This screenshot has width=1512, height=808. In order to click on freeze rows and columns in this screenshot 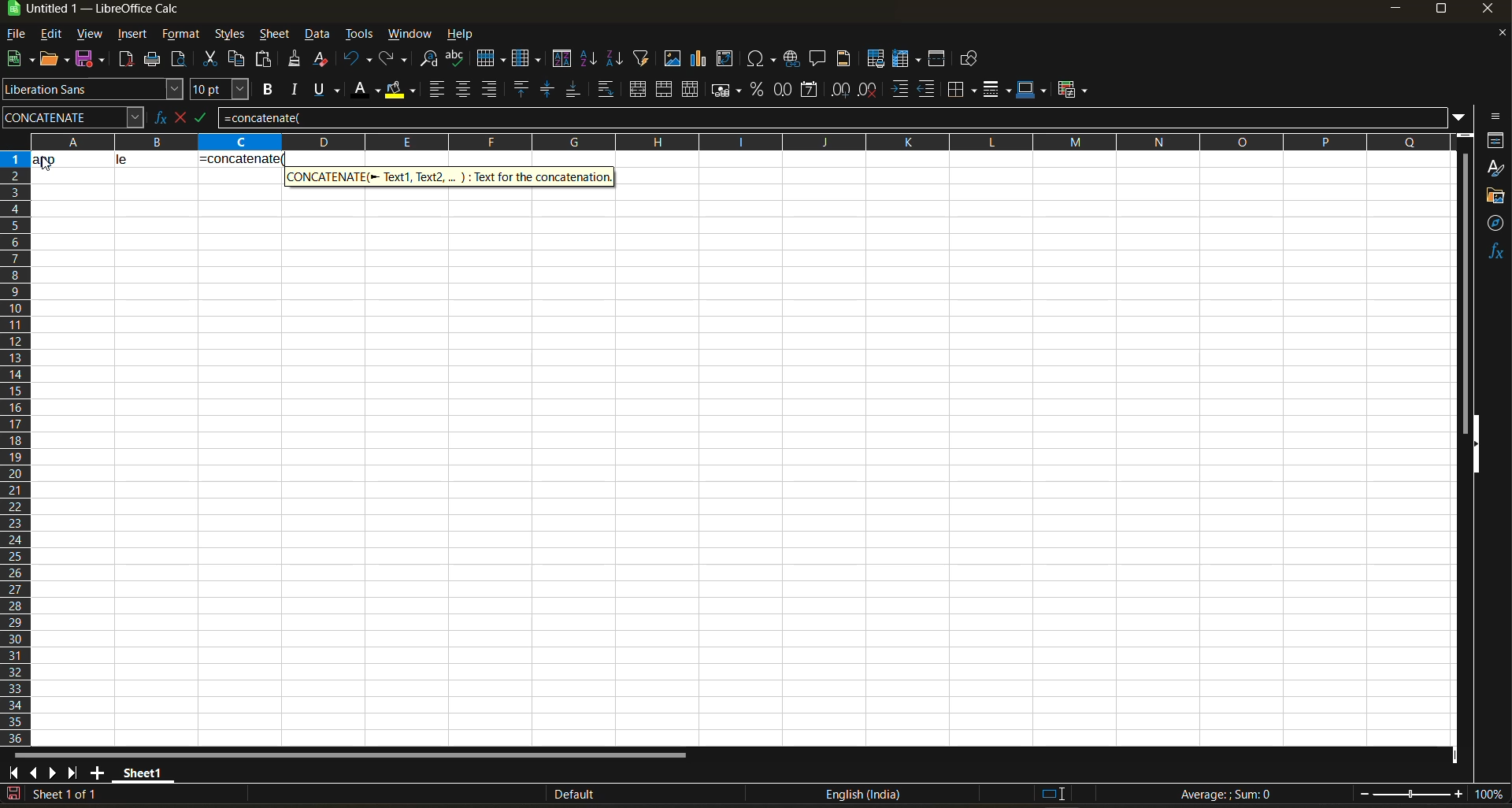, I will do `click(910, 60)`.